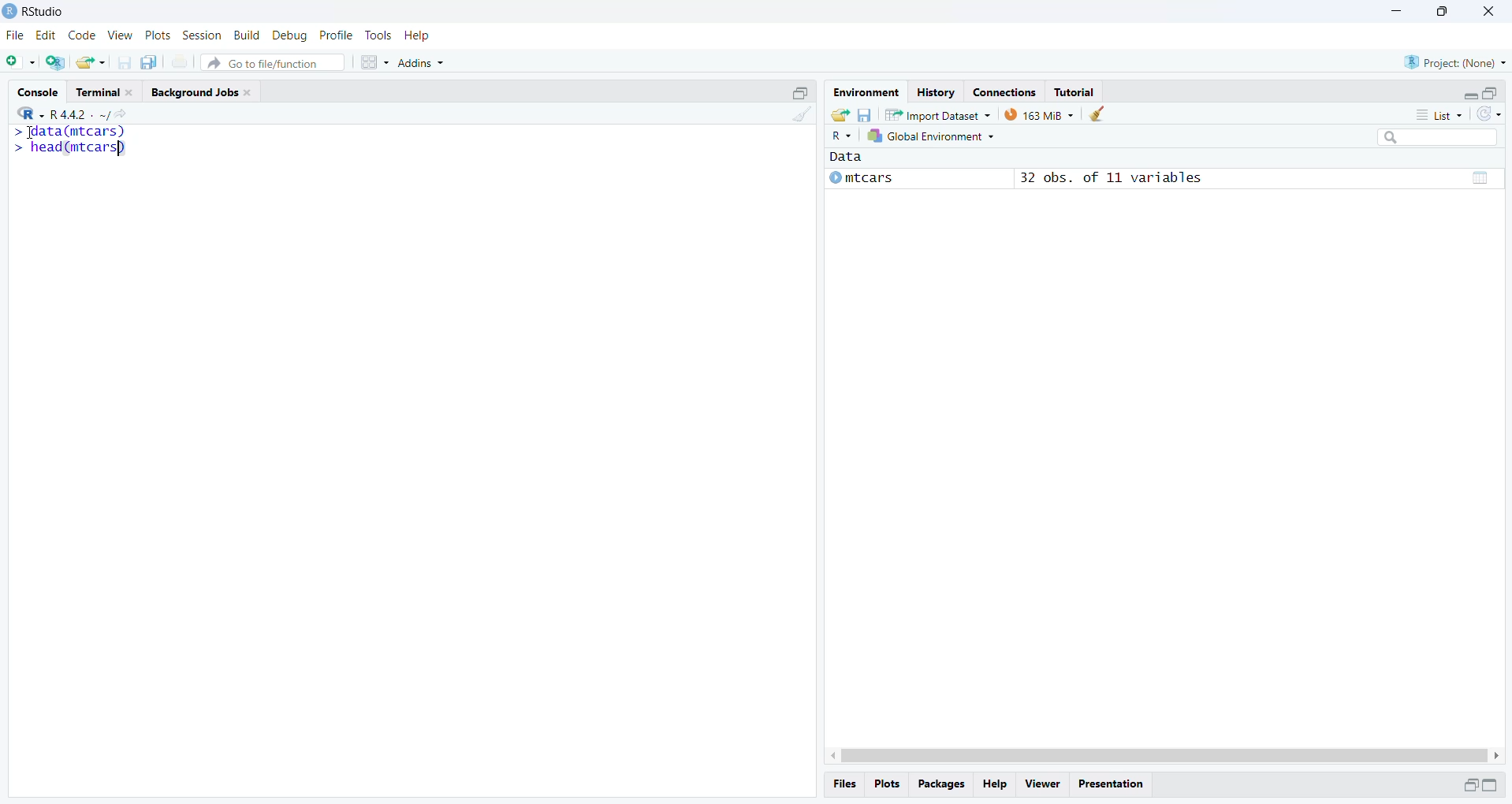  What do you see at coordinates (803, 114) in the screenshot?
I see `clean` at bounding box center [803, 114].